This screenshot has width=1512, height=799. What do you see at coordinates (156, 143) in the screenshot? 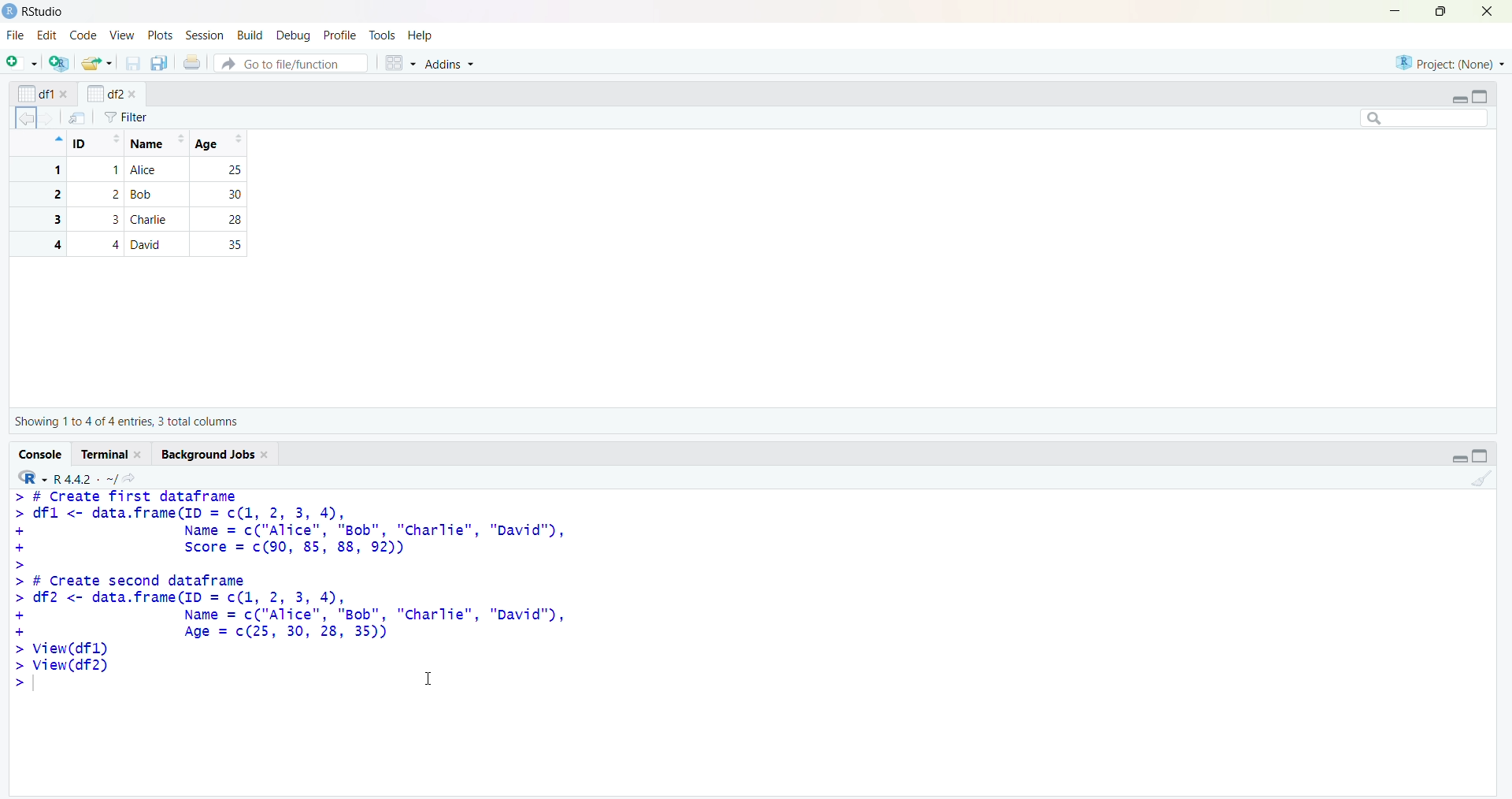
I see `Name` at bounding box center [156, 143].